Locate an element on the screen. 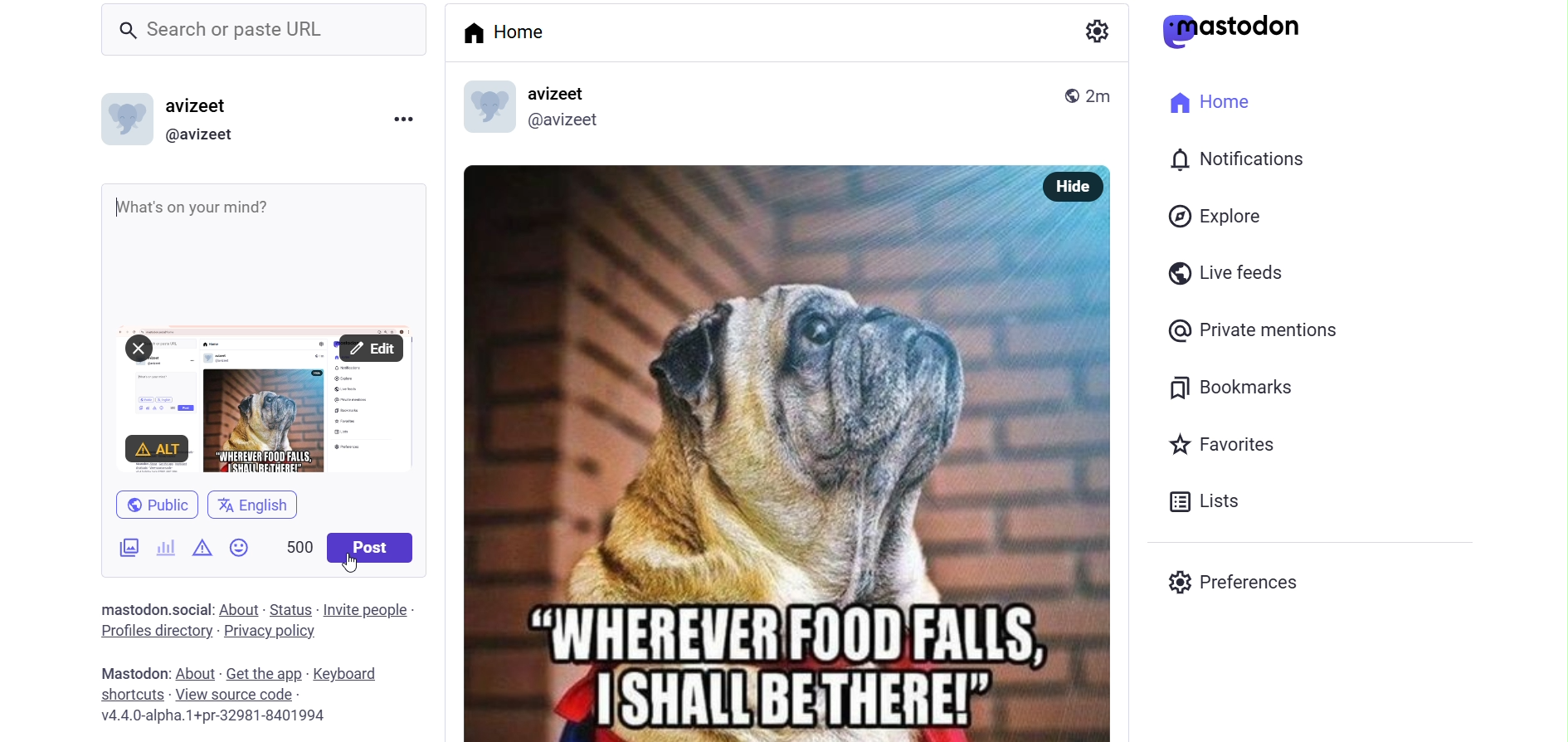  private mention is located at coordinates (1259, 332).